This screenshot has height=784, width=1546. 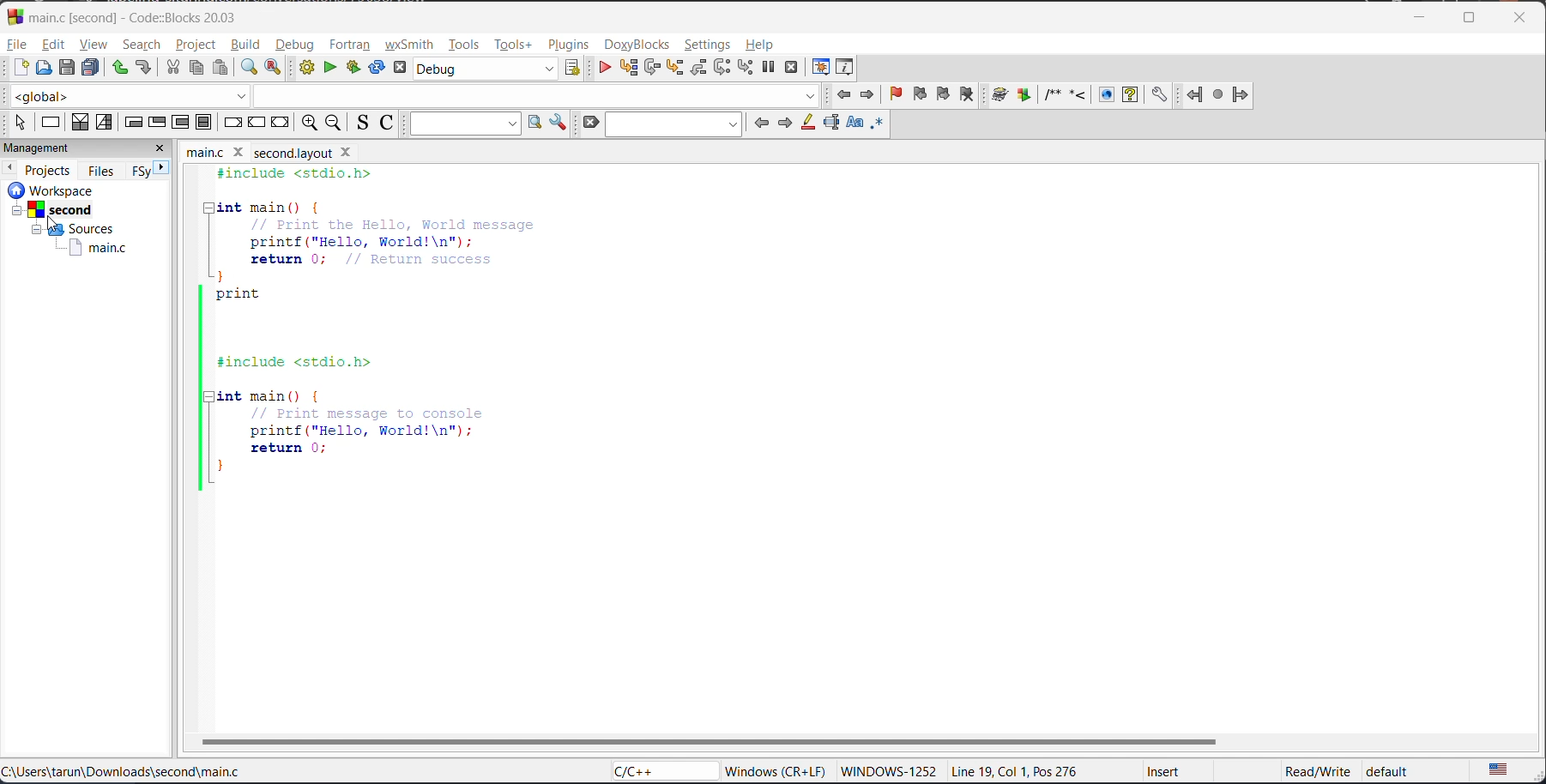 What do you see at coordinates (330, 67) in the screenshot?
I see `run` at bounding box center [330, 67].